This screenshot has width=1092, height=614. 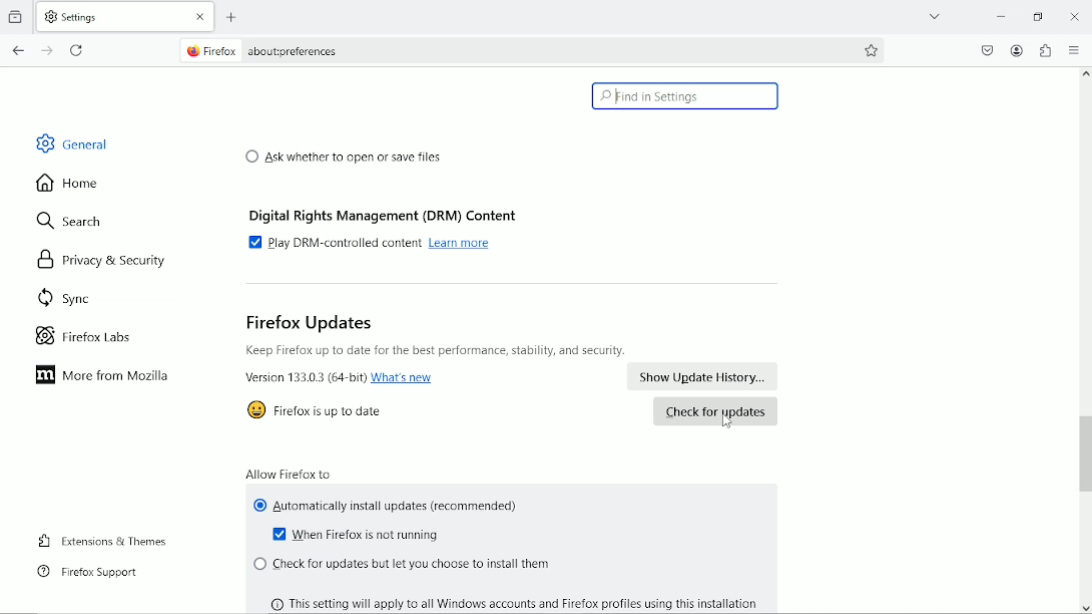 I want to click on Firefox is up to date, so click(x=332, y=412).